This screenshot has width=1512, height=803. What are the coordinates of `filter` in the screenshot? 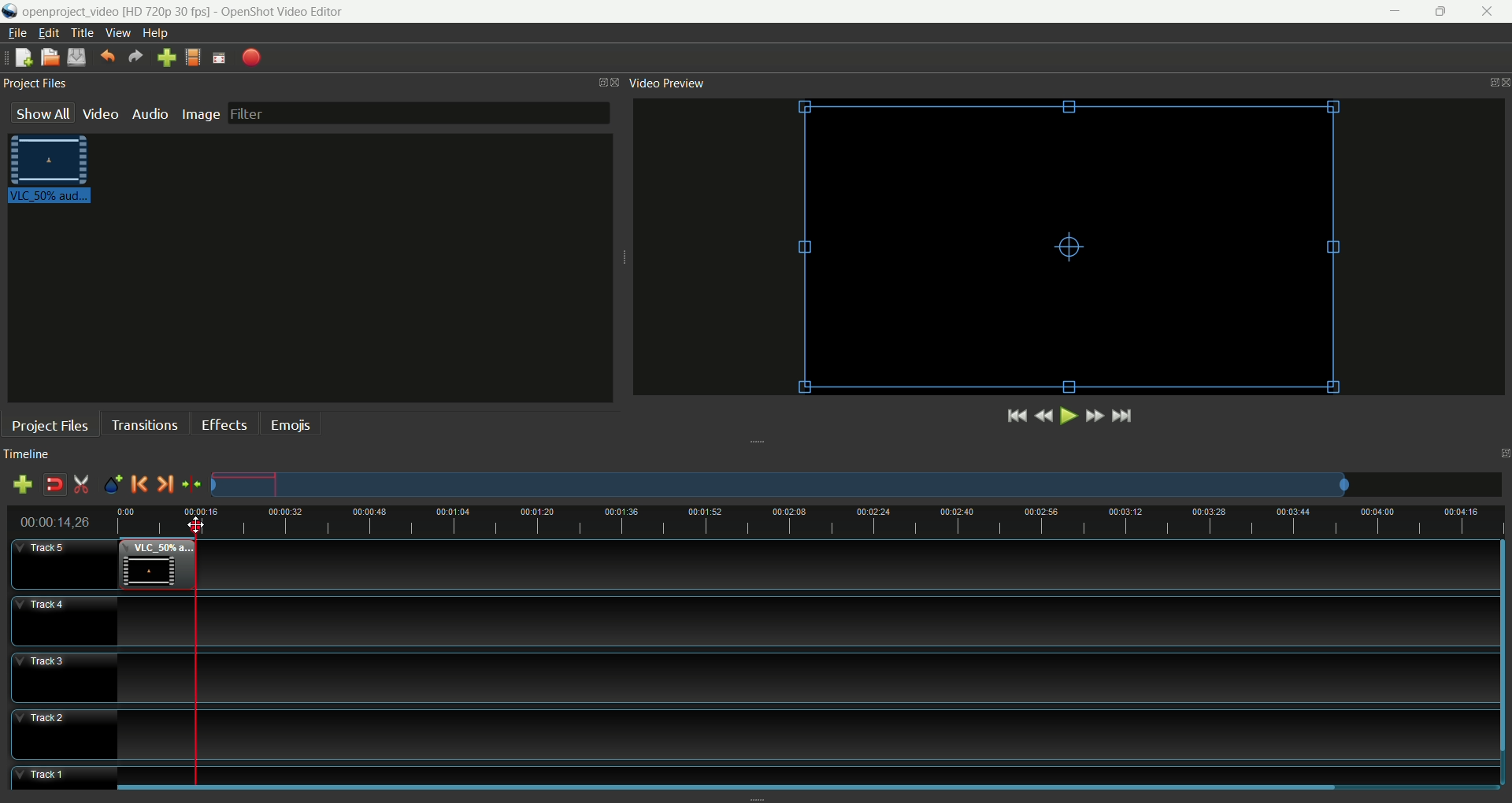 It's located at (418, 113).